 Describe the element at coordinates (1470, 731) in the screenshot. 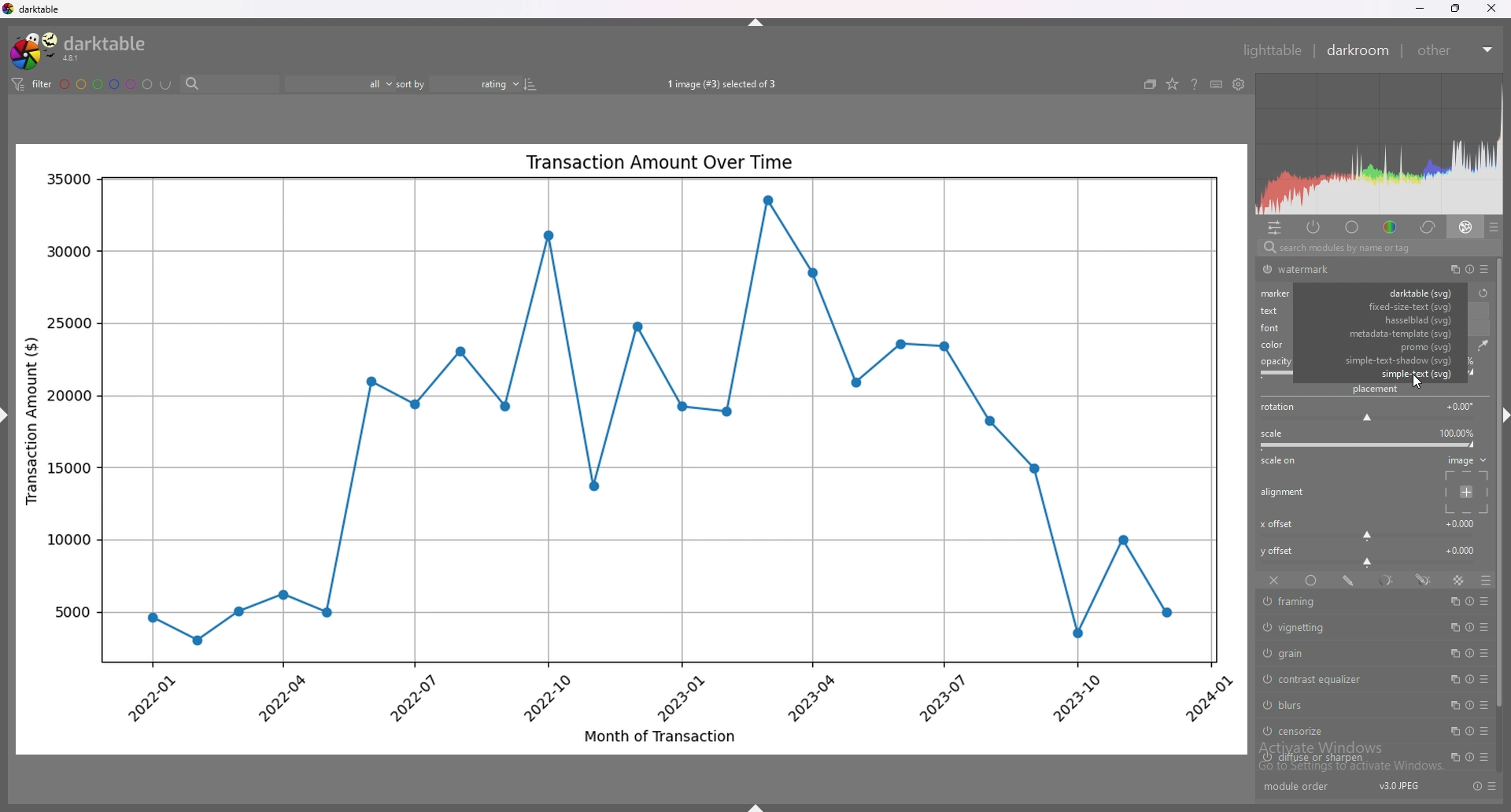

I see `reset` at that location.